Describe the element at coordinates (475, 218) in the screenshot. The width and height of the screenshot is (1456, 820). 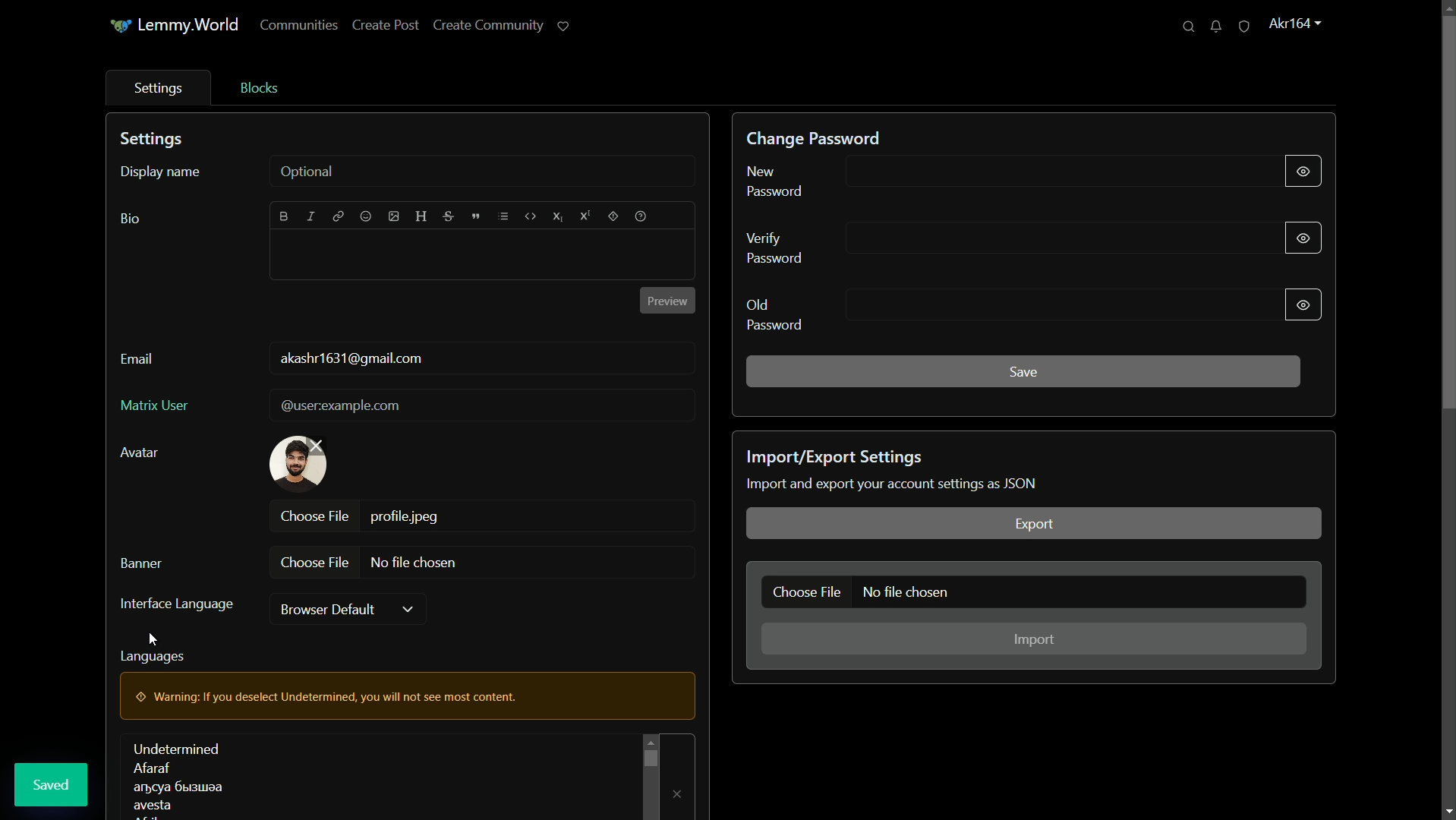
I see `quote` at that location.